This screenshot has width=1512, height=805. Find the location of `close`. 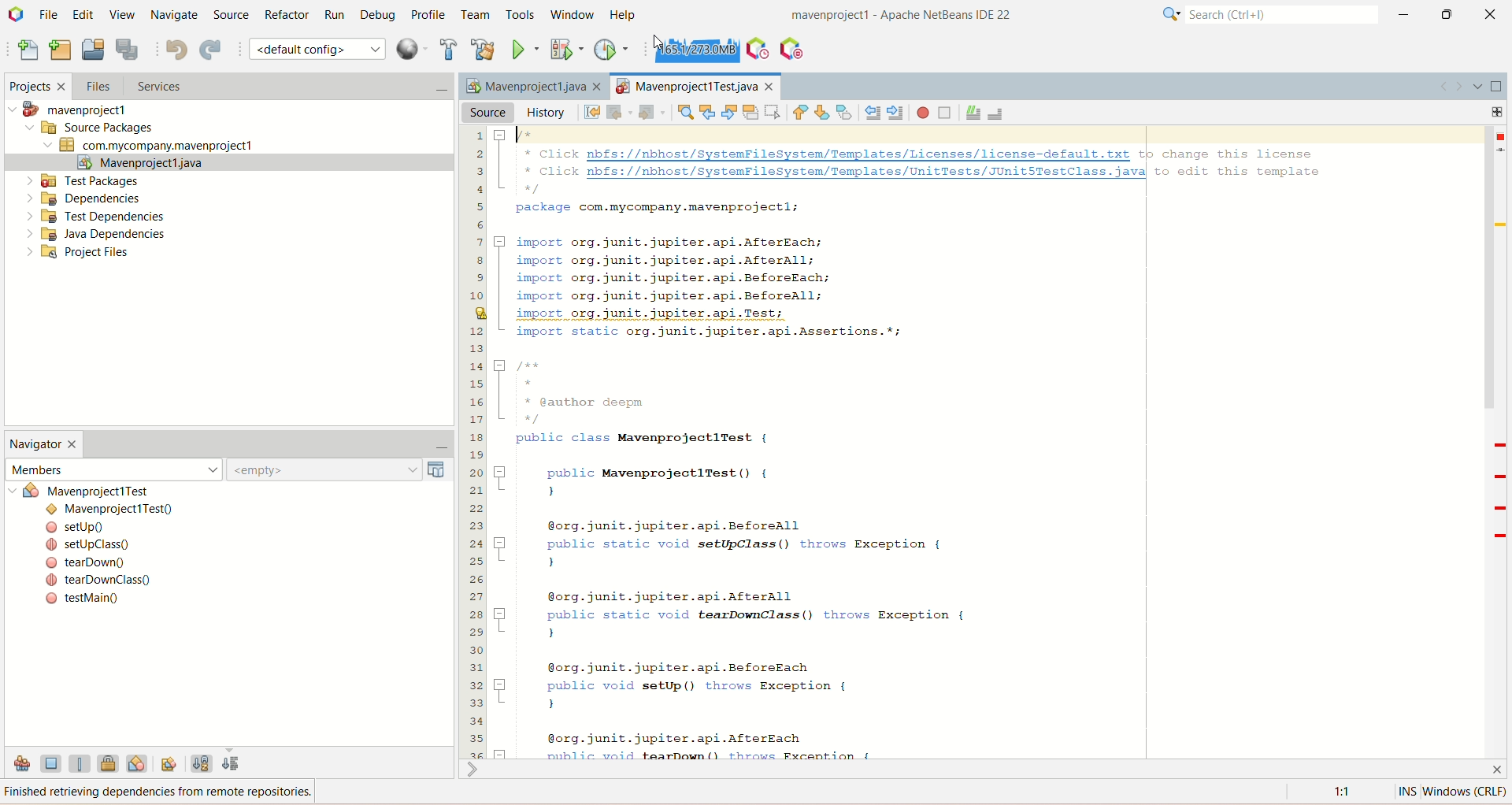

close is located at coordinates (1497, 14).